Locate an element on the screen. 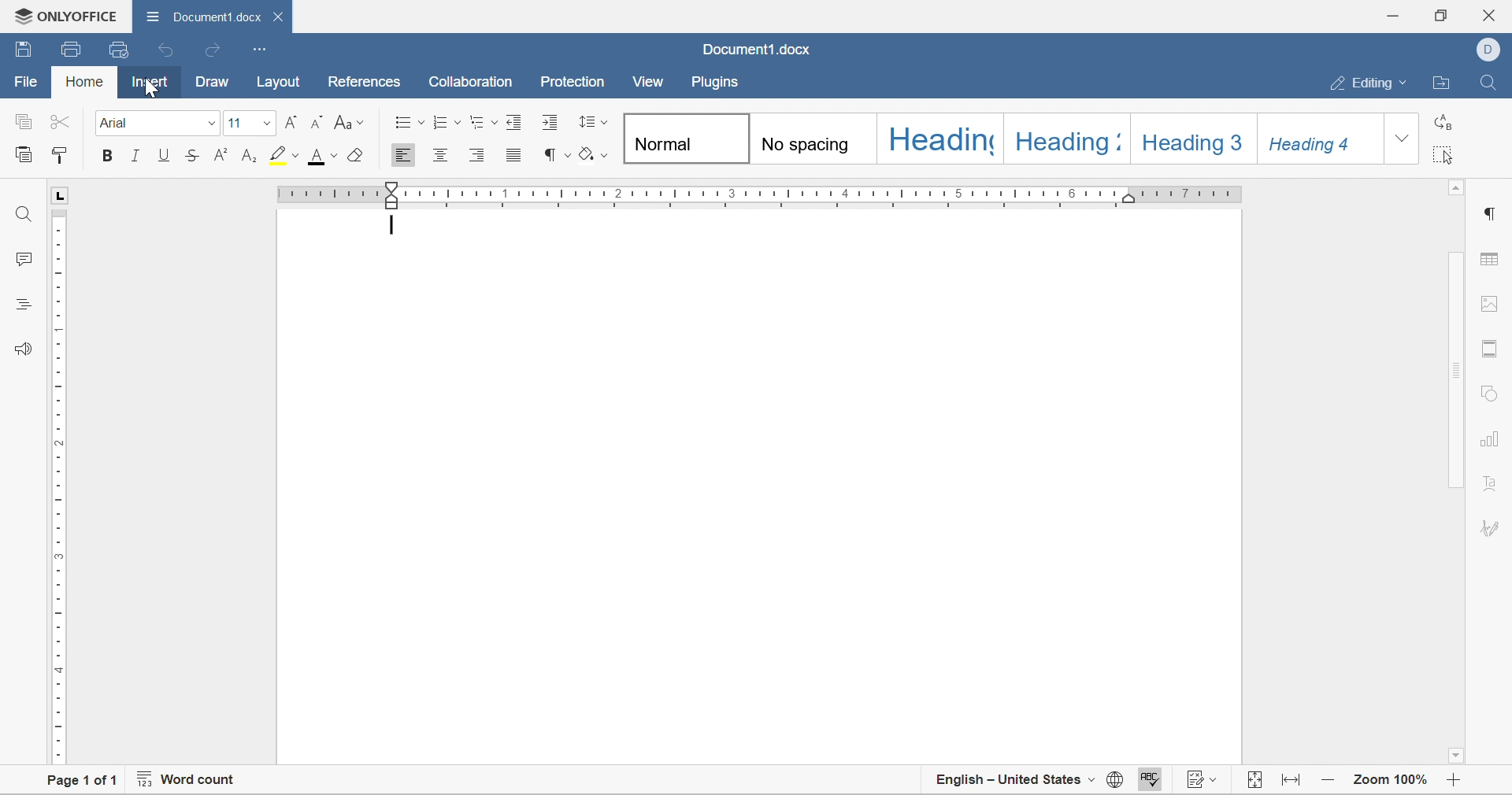  Copy style is located at coordinates (60, 156).